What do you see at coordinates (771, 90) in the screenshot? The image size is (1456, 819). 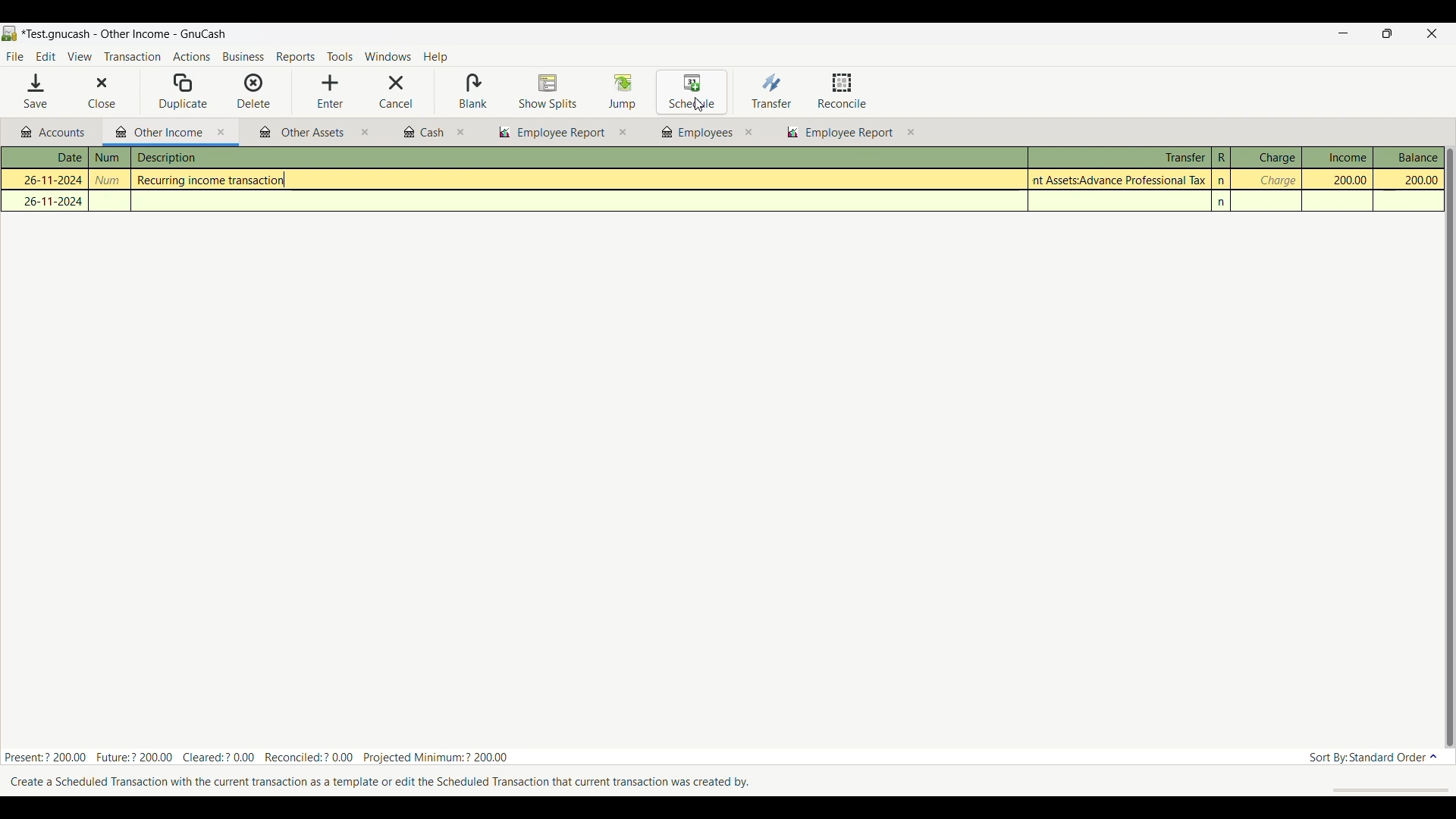 I see `Transfer` at bounding box center [771, 90].